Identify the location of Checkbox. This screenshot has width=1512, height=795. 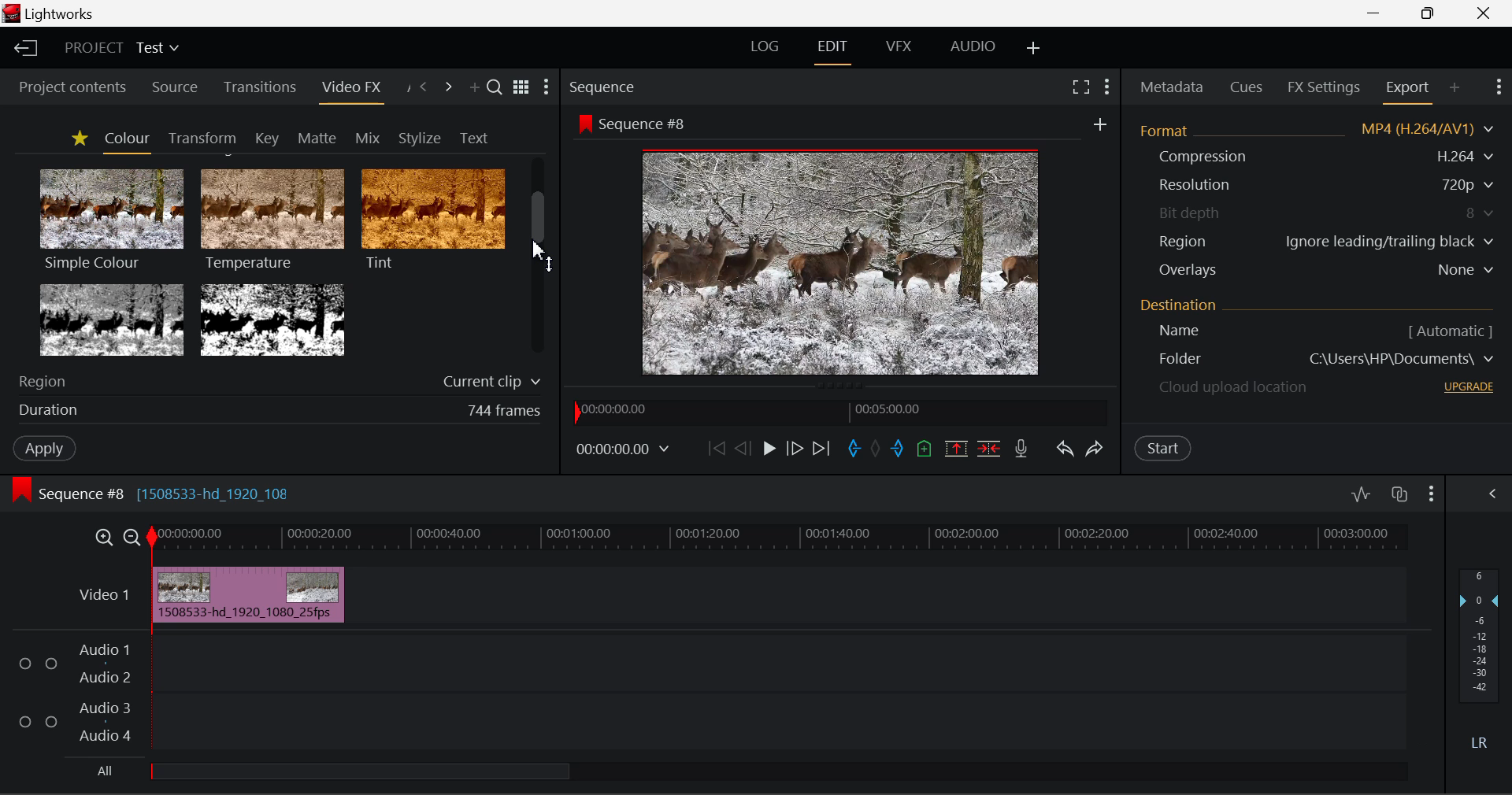
(25, 720).